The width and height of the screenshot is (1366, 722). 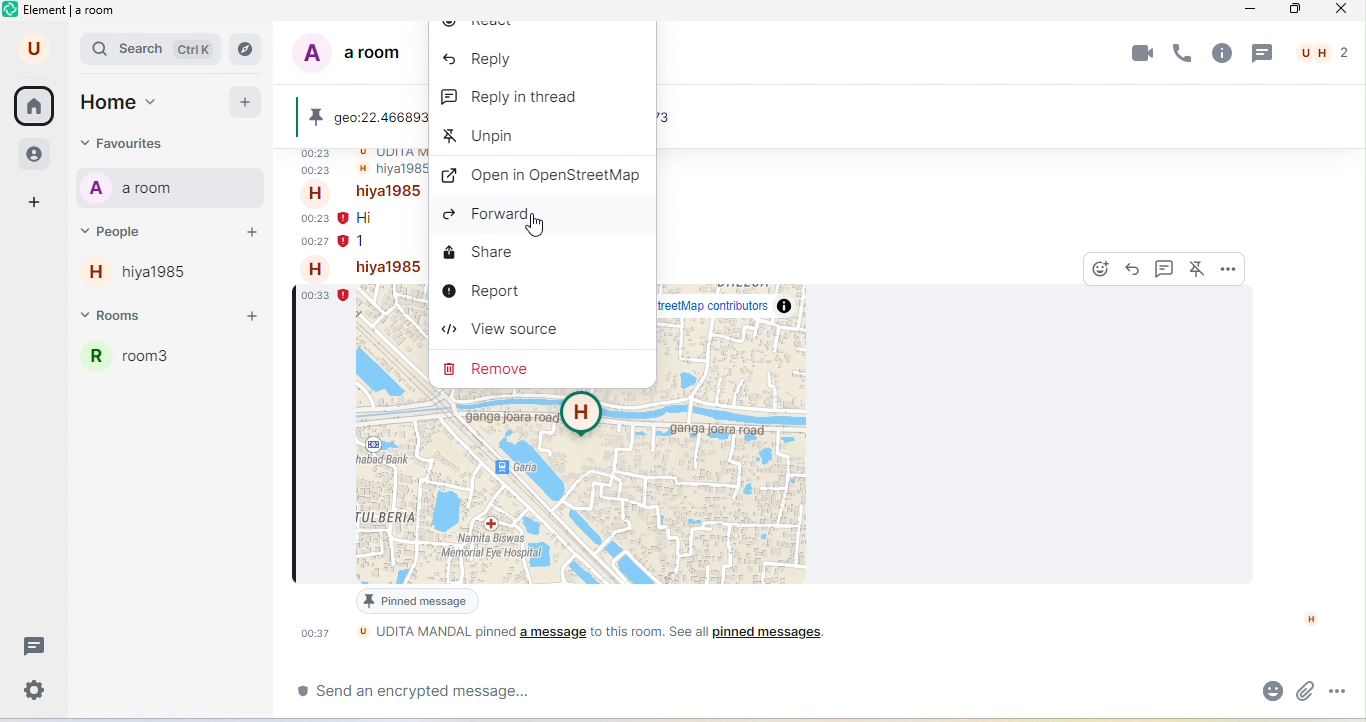 I want to click on settings, so click(x=37, y=690).